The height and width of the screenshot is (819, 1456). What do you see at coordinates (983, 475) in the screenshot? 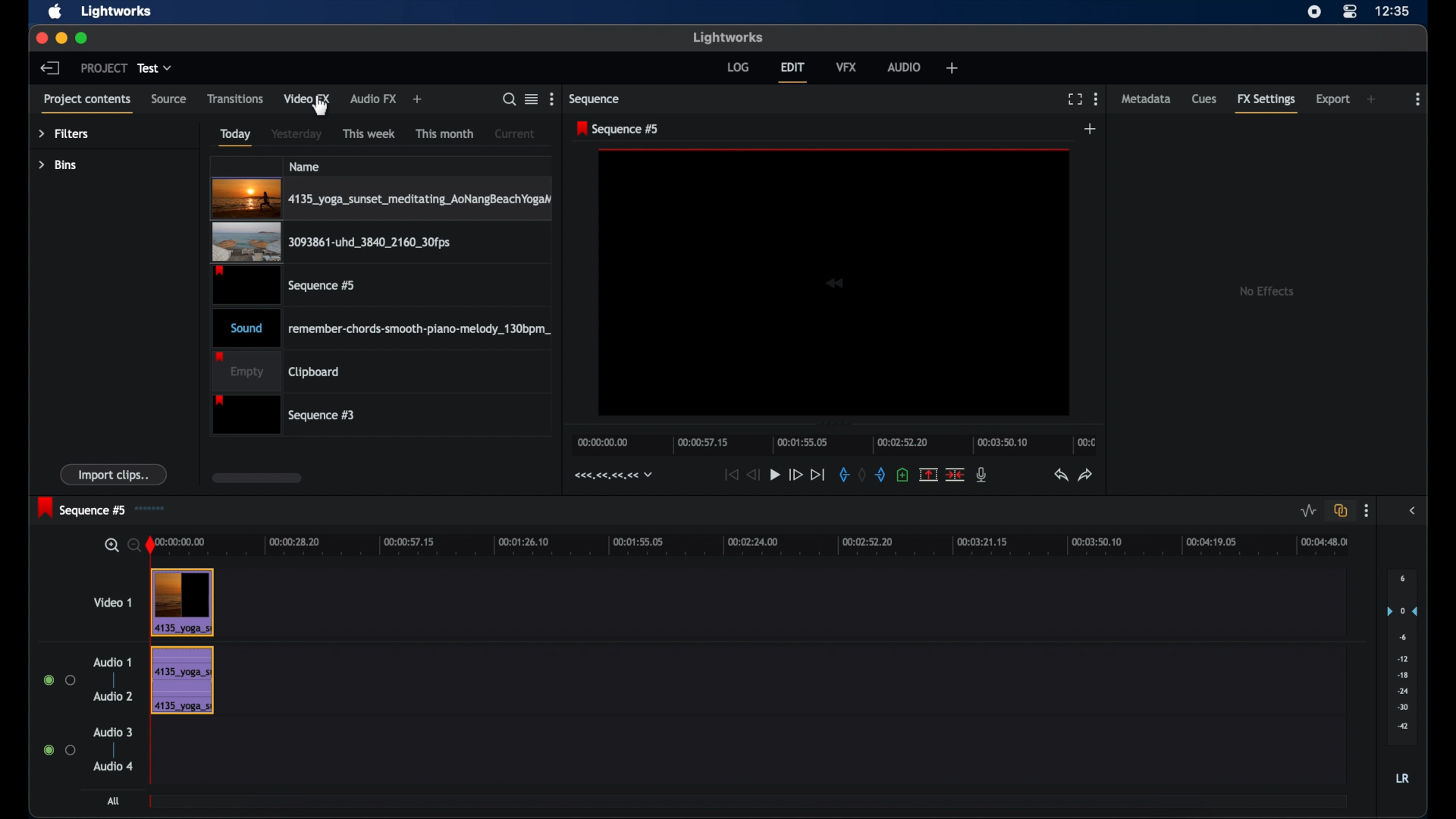
I see `mic` at bounding box center [983, 475].